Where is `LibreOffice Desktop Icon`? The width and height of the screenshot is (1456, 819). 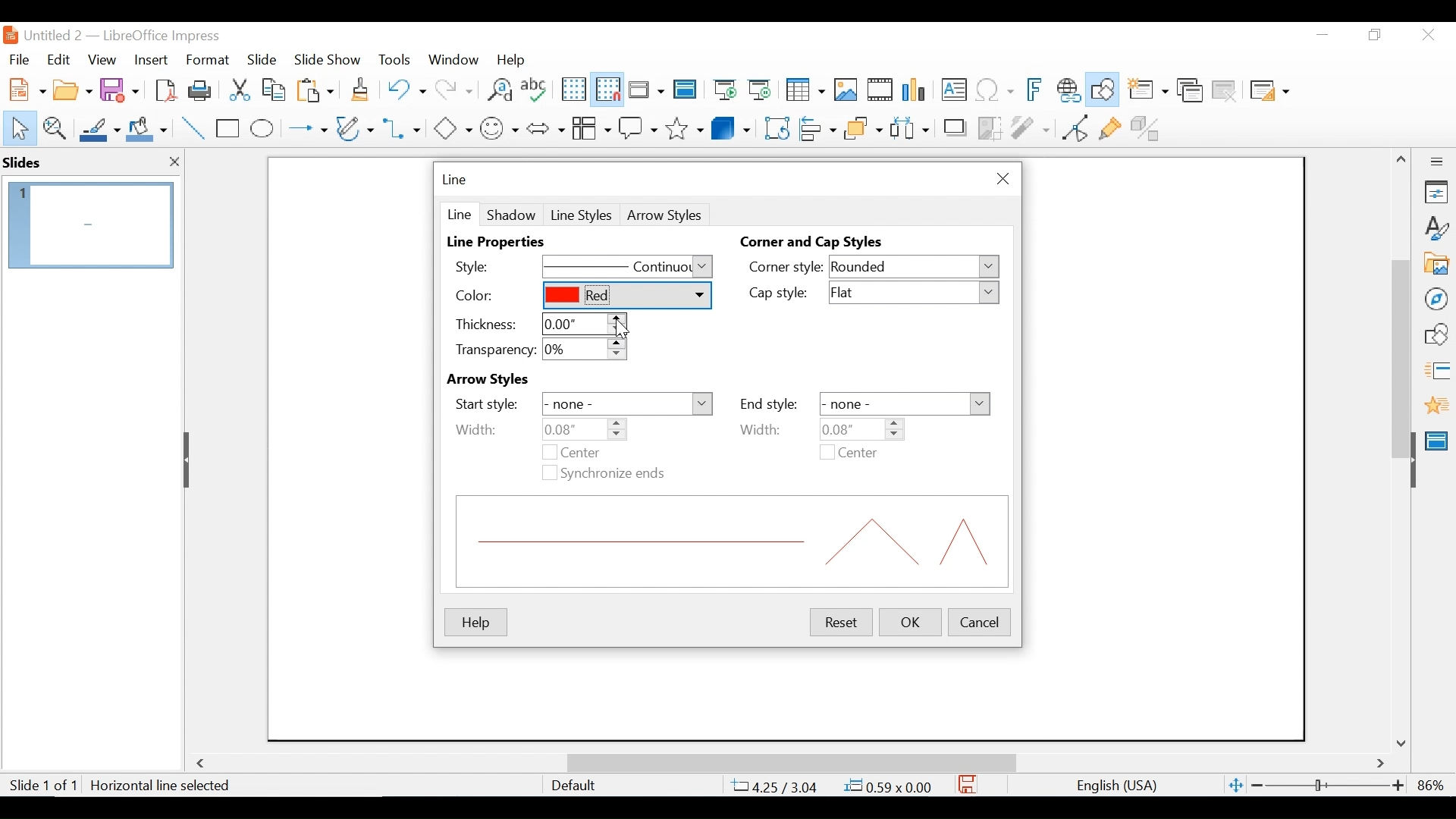 LibreOffice Desktop Icon is located at coordinates (9, 35).